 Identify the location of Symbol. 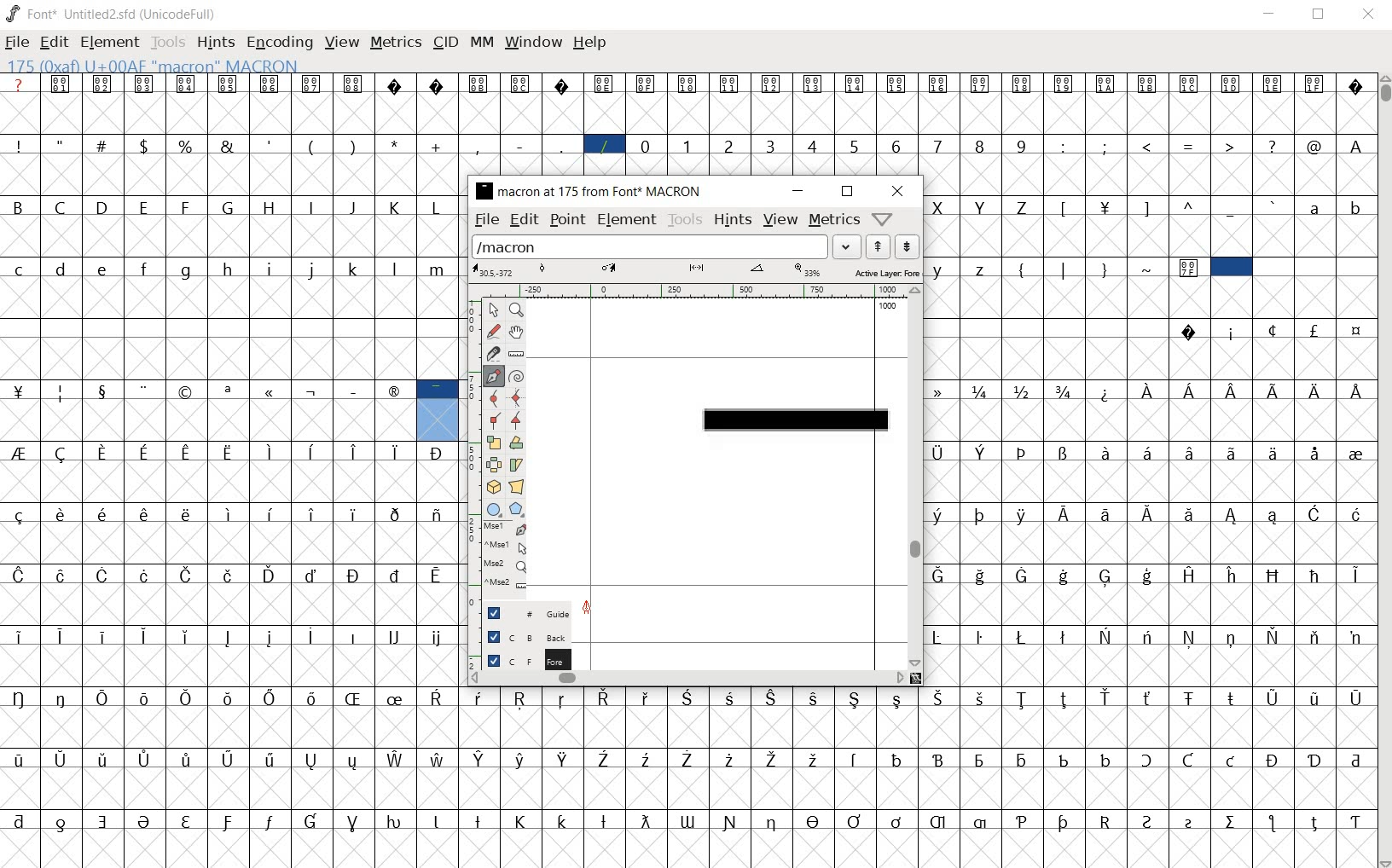
(561, 84).